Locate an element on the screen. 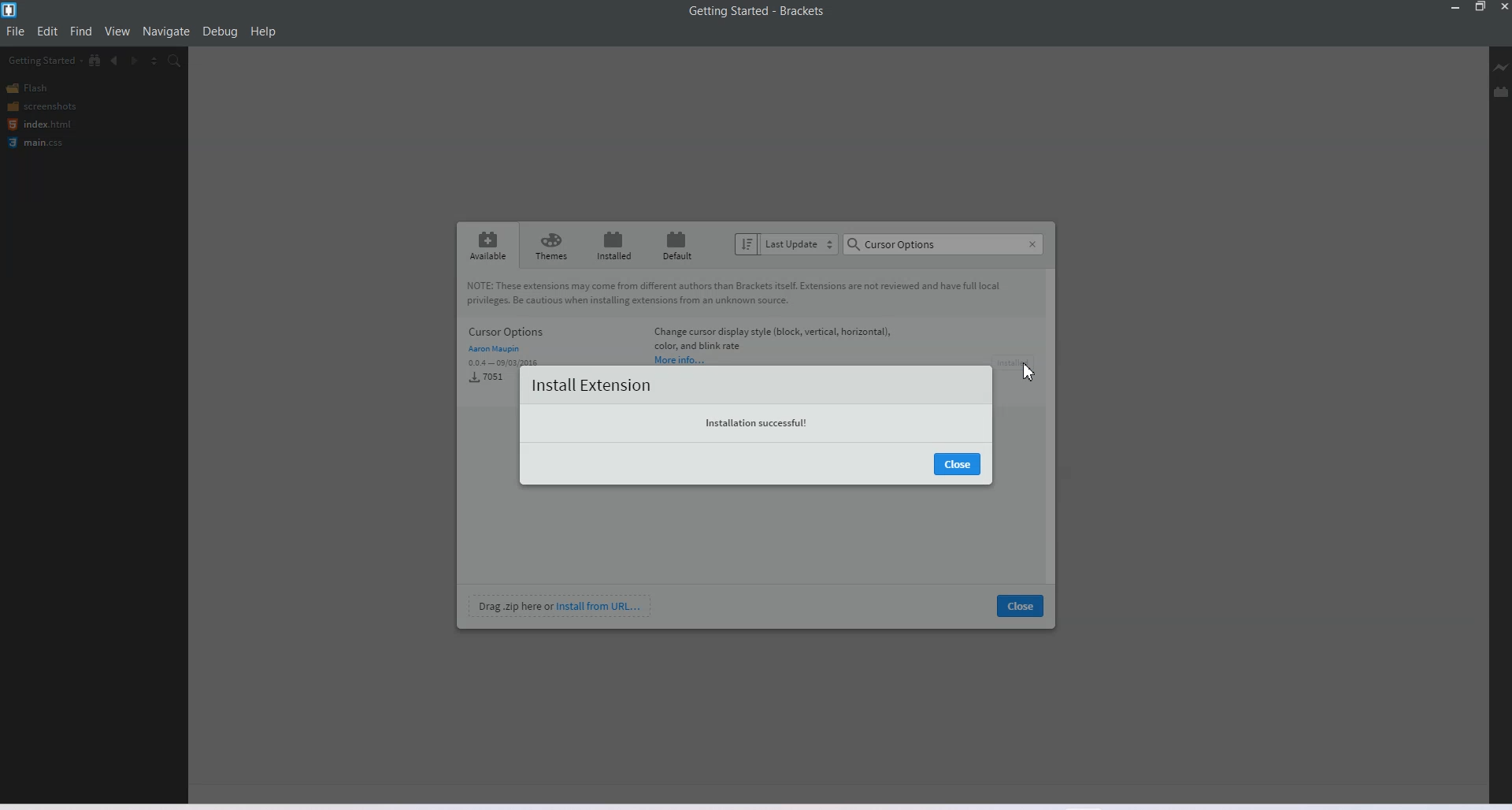 The image size is (1512, 810). cursor options is located at coordinates (550, 333).